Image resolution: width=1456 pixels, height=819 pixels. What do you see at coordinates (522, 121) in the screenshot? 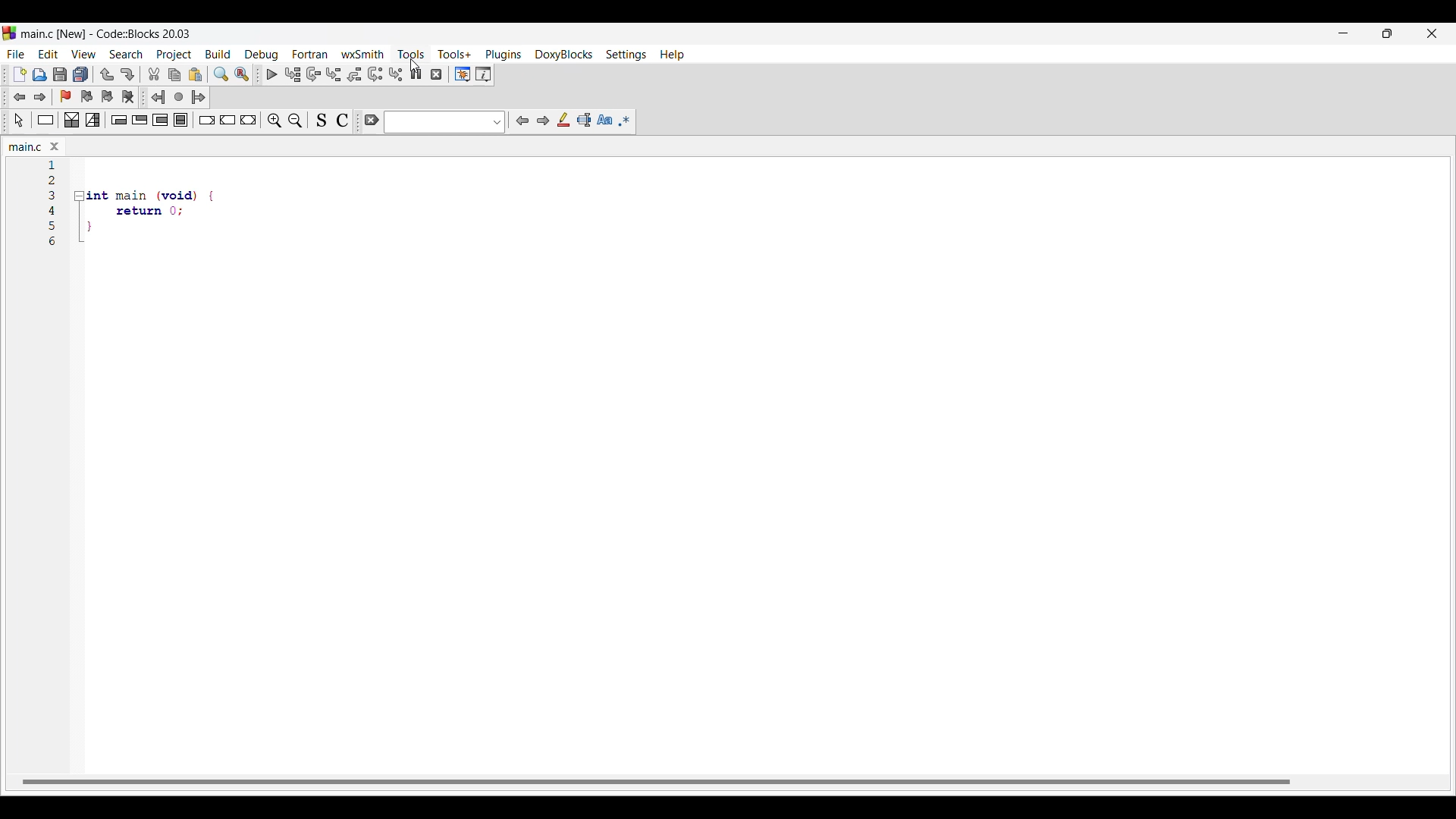
I see `Previous` at bounding box center [522, 121].